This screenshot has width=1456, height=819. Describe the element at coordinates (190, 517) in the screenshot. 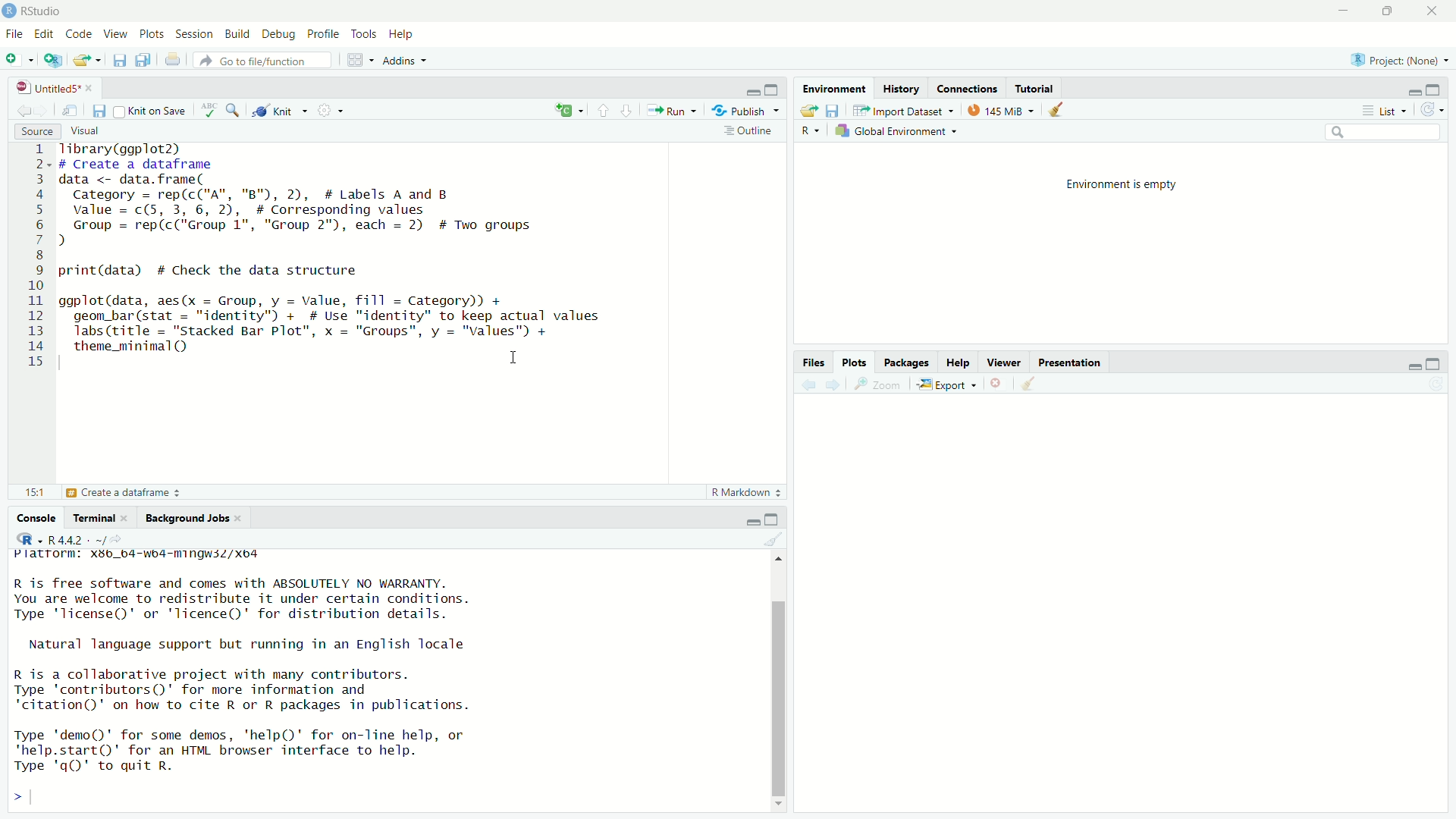

I see `Background Jobs` at that location.